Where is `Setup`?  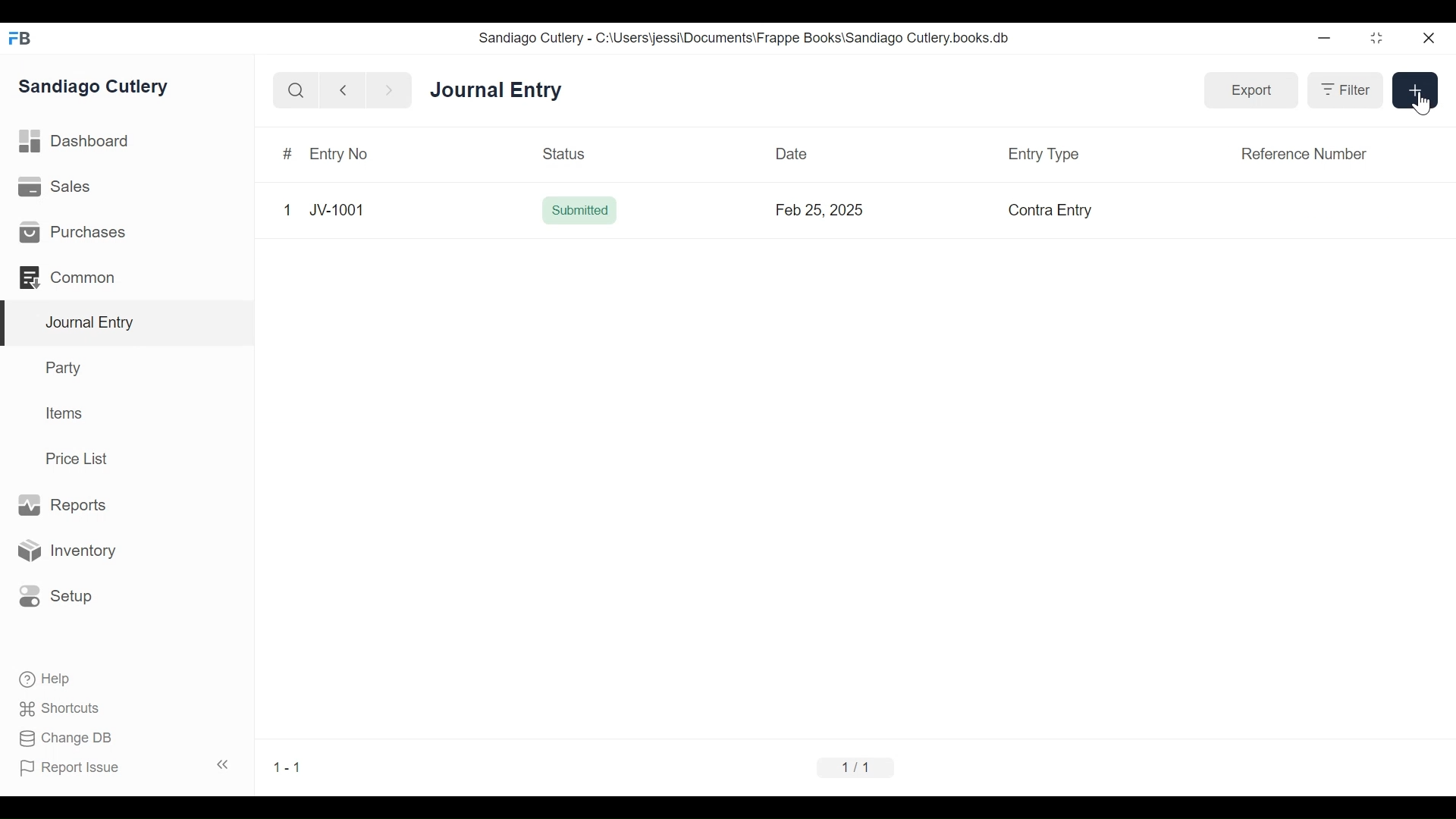 Setup is located at coordinates (56, 595).